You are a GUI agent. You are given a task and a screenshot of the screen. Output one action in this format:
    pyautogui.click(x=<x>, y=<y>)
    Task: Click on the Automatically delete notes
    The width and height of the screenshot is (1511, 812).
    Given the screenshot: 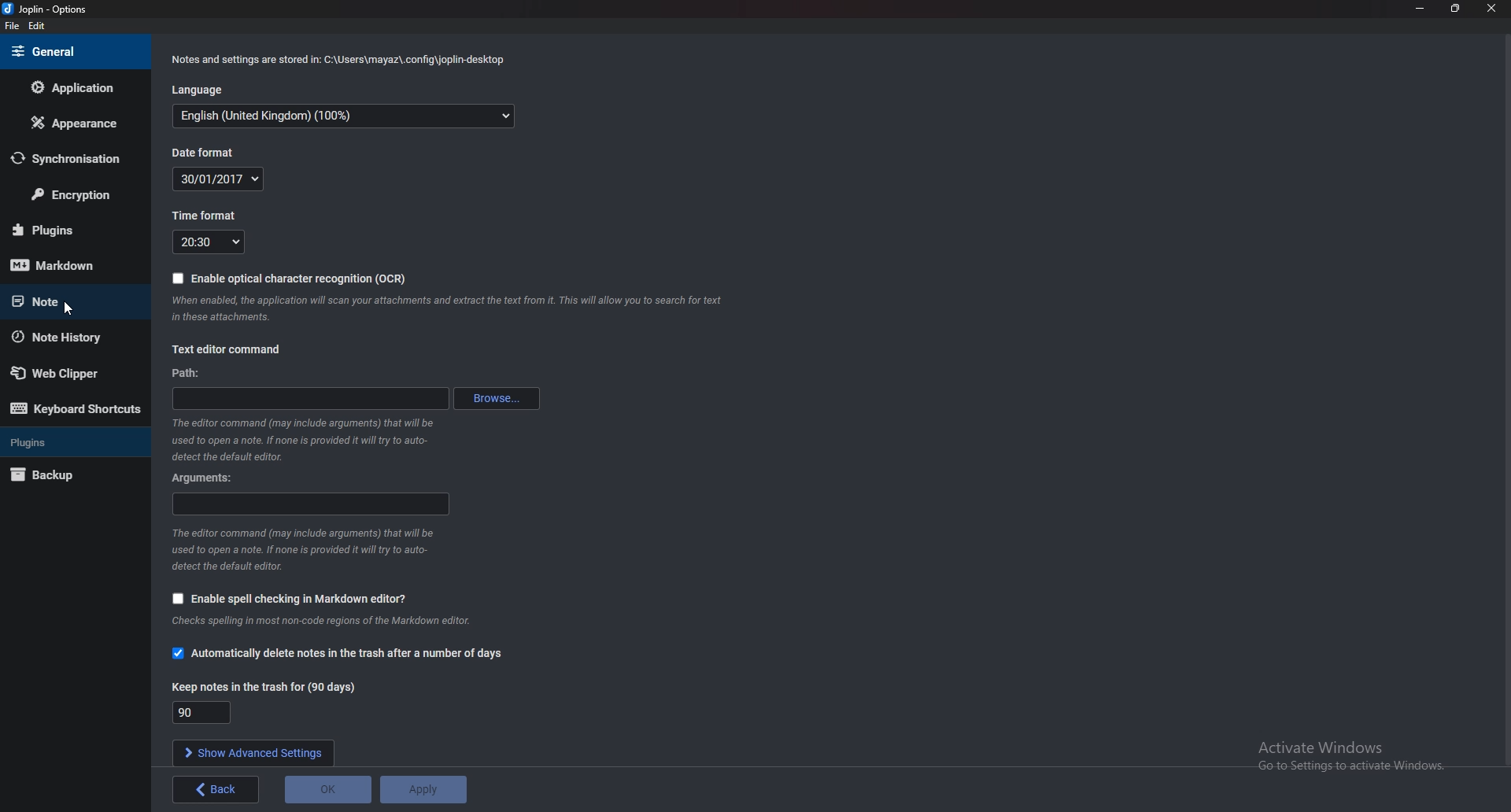 What is the action you would take?
    pyautogui.click(x=349, y=655)
    